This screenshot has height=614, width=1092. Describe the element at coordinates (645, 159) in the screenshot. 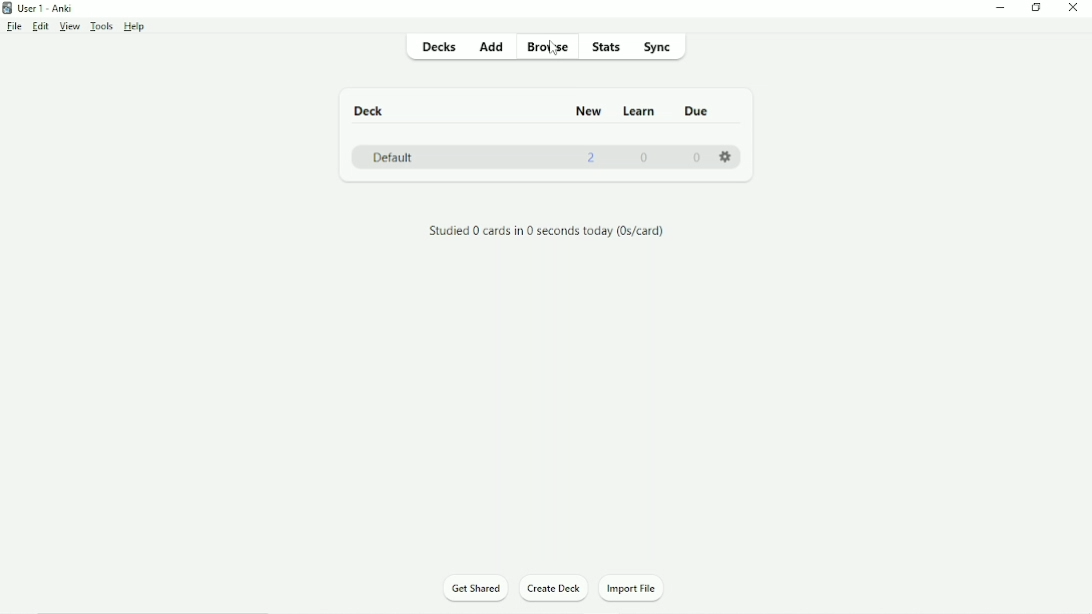

I see `0` at that location.